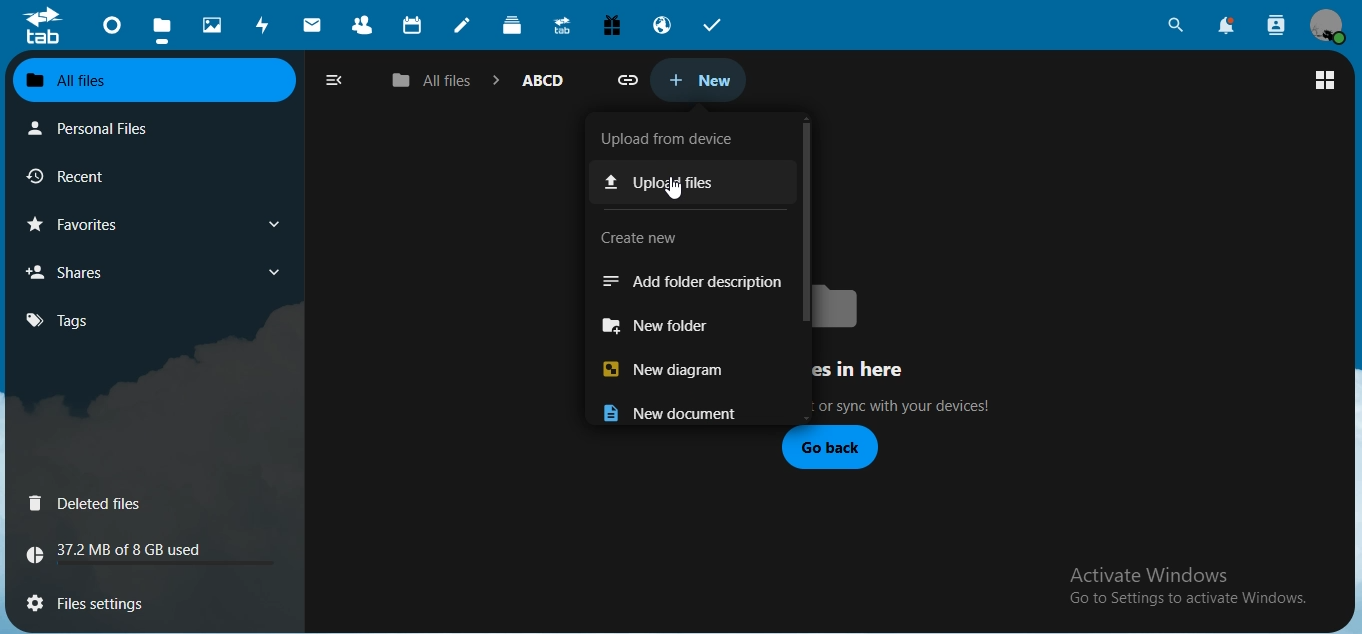  Describe the element at coordinates (83, 225) in the screenshot. I see `favourites` at that location.